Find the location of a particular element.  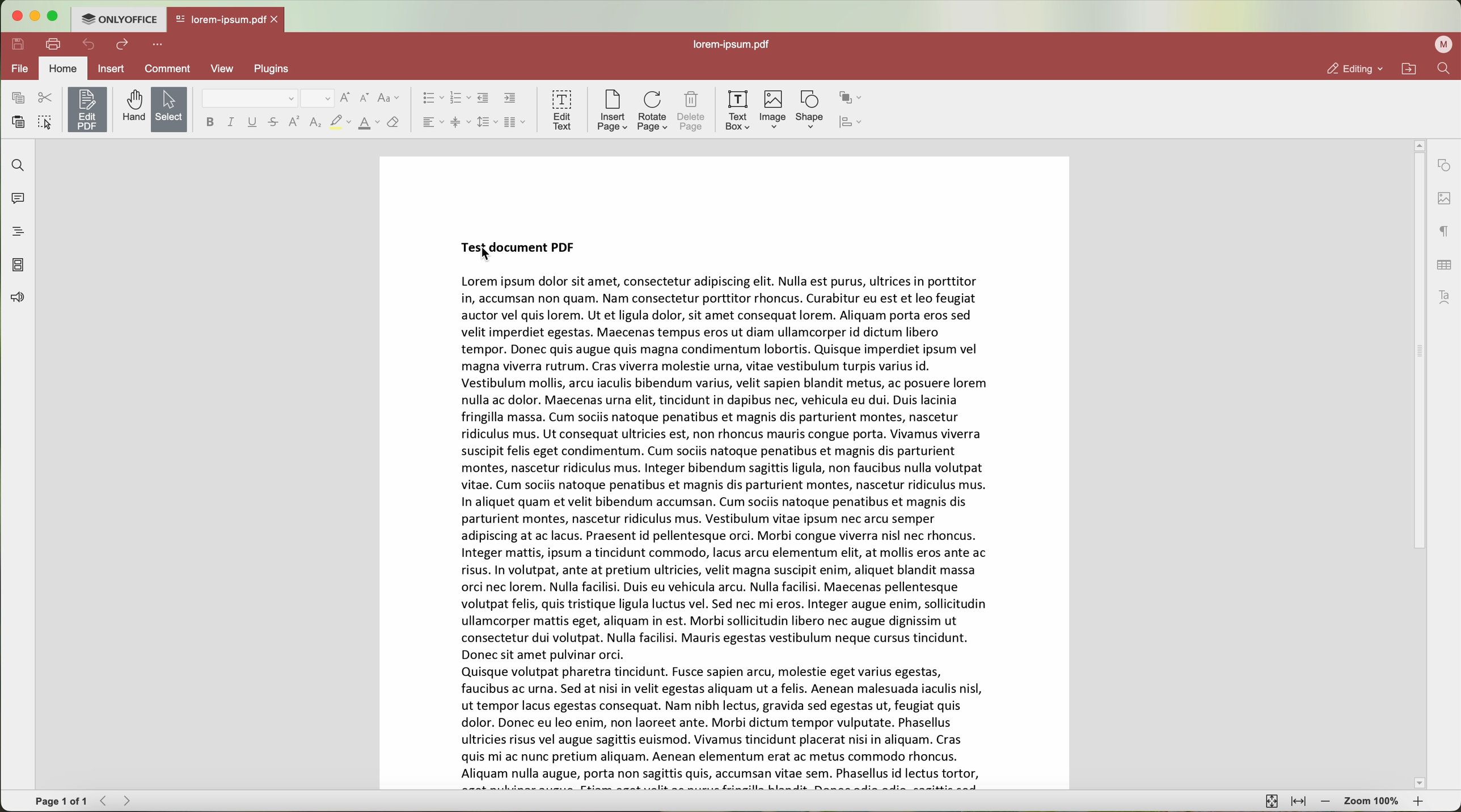

text box is located at coordinates (735, 111).